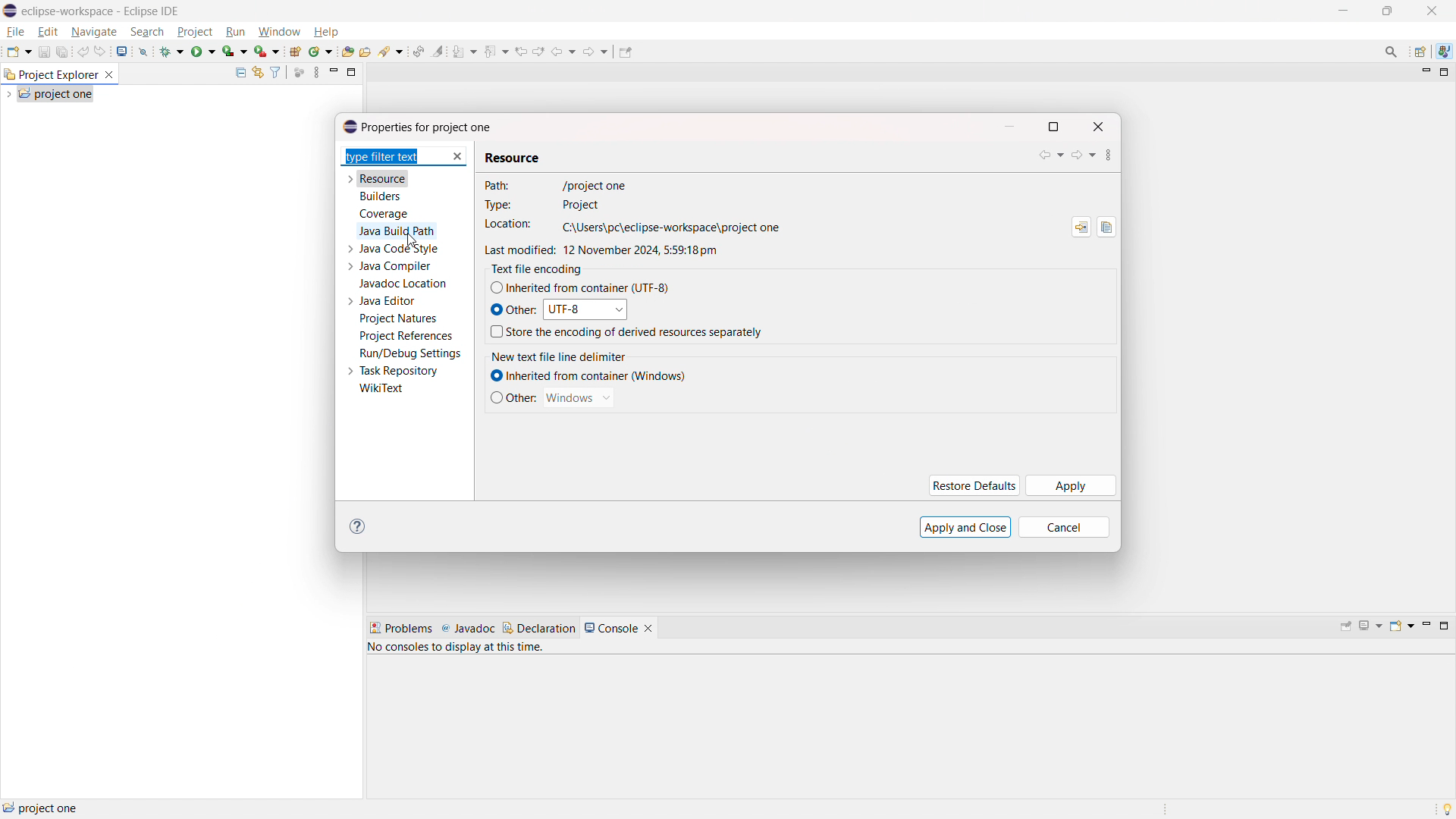 This screenshot has width=1456, height=819. I want to click on display selected console, so click(1372, 626).